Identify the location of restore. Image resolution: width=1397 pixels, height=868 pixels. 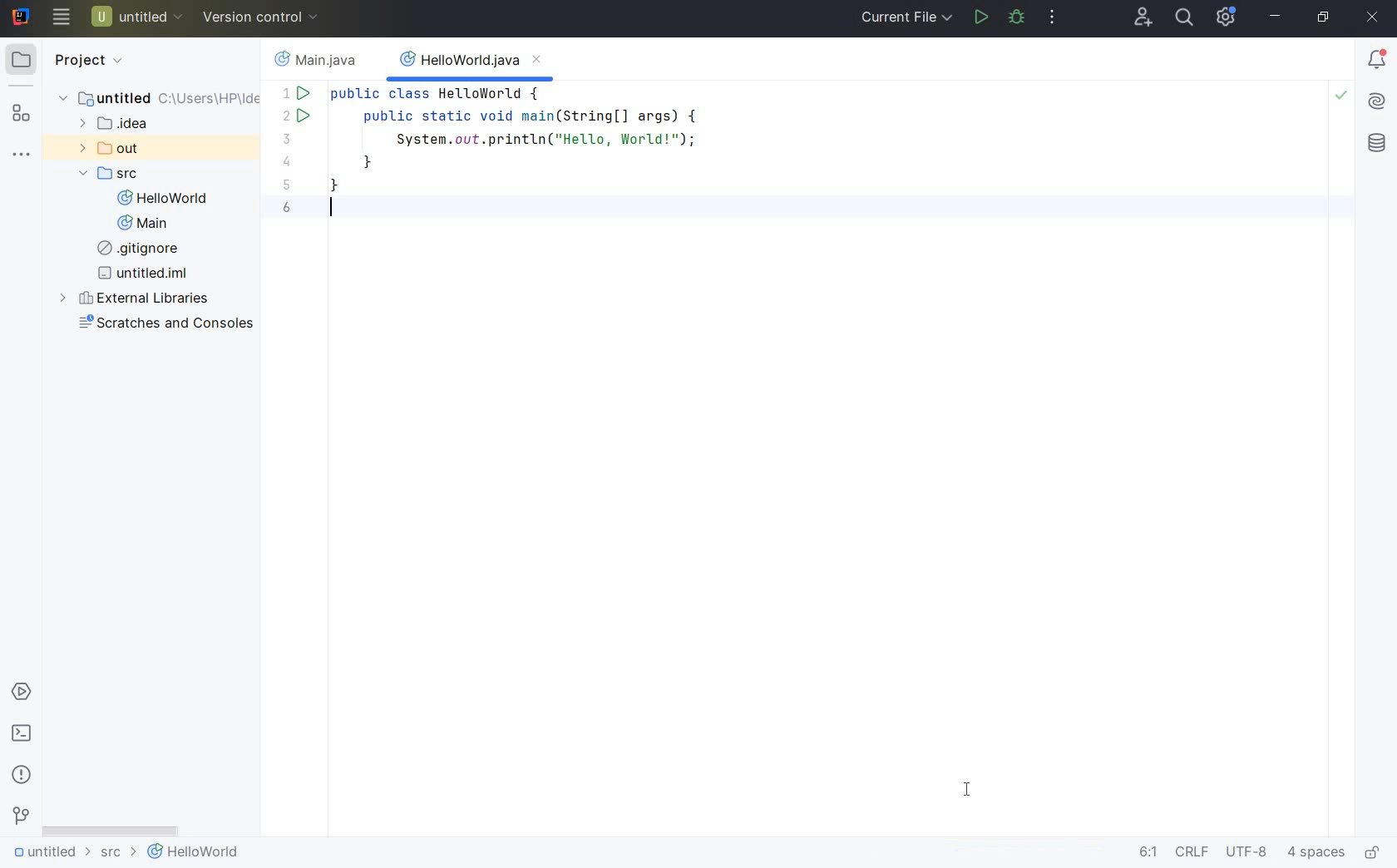
(1325, 18).